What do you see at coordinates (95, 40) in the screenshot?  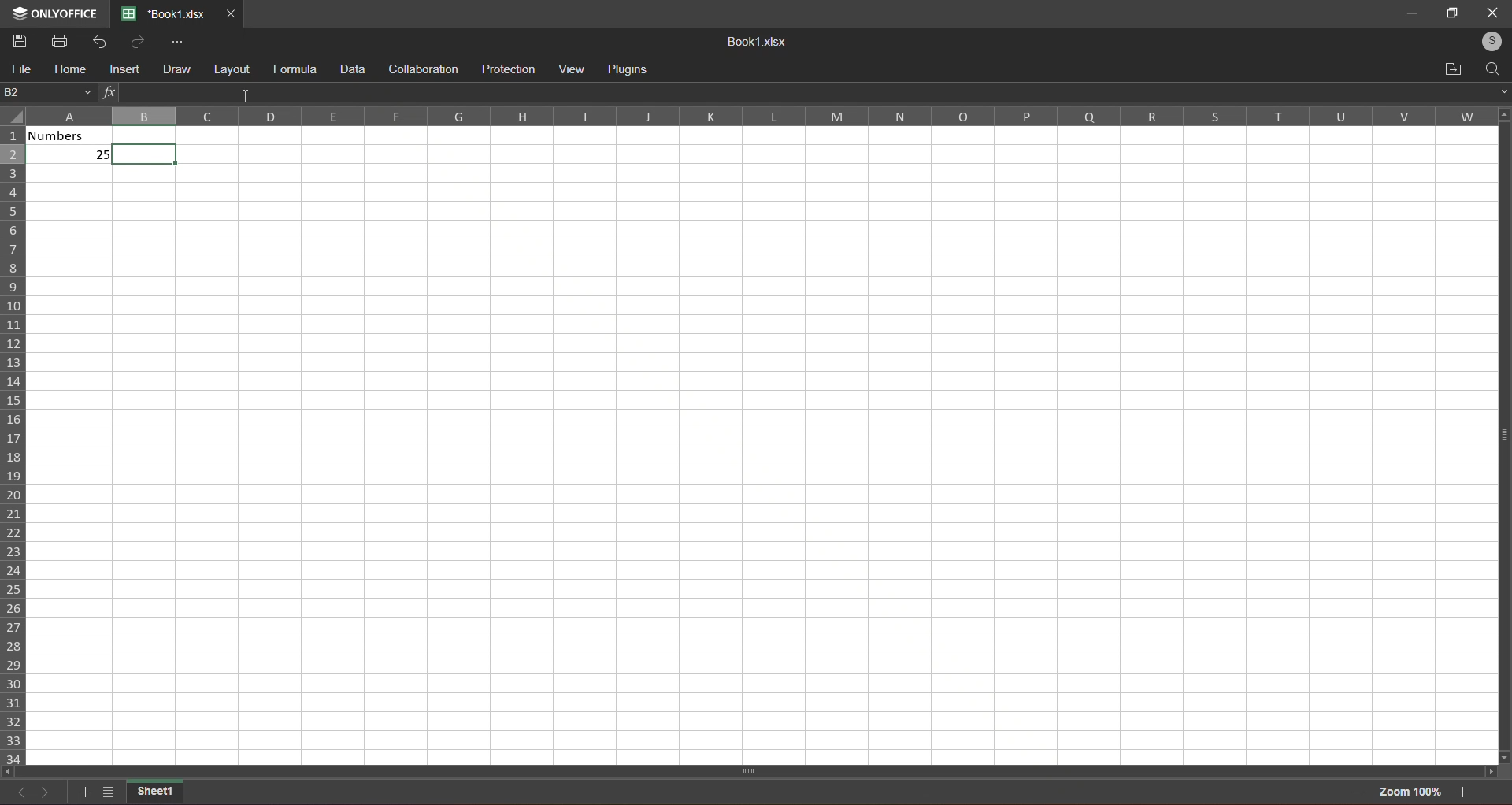 I see `undo` at bounding box center [95, 40].